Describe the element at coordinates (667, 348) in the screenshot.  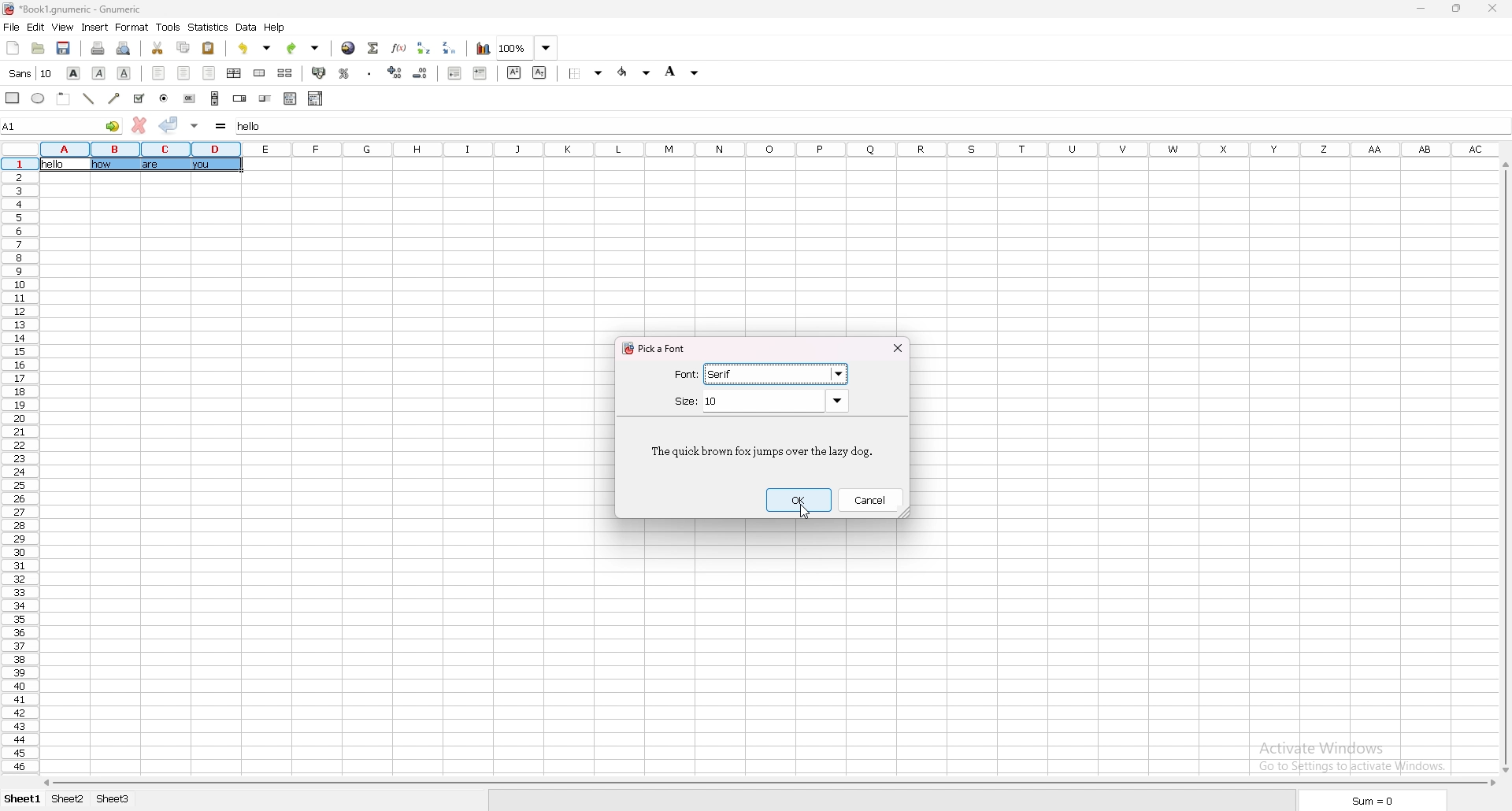
I see `pick a font` at that location.